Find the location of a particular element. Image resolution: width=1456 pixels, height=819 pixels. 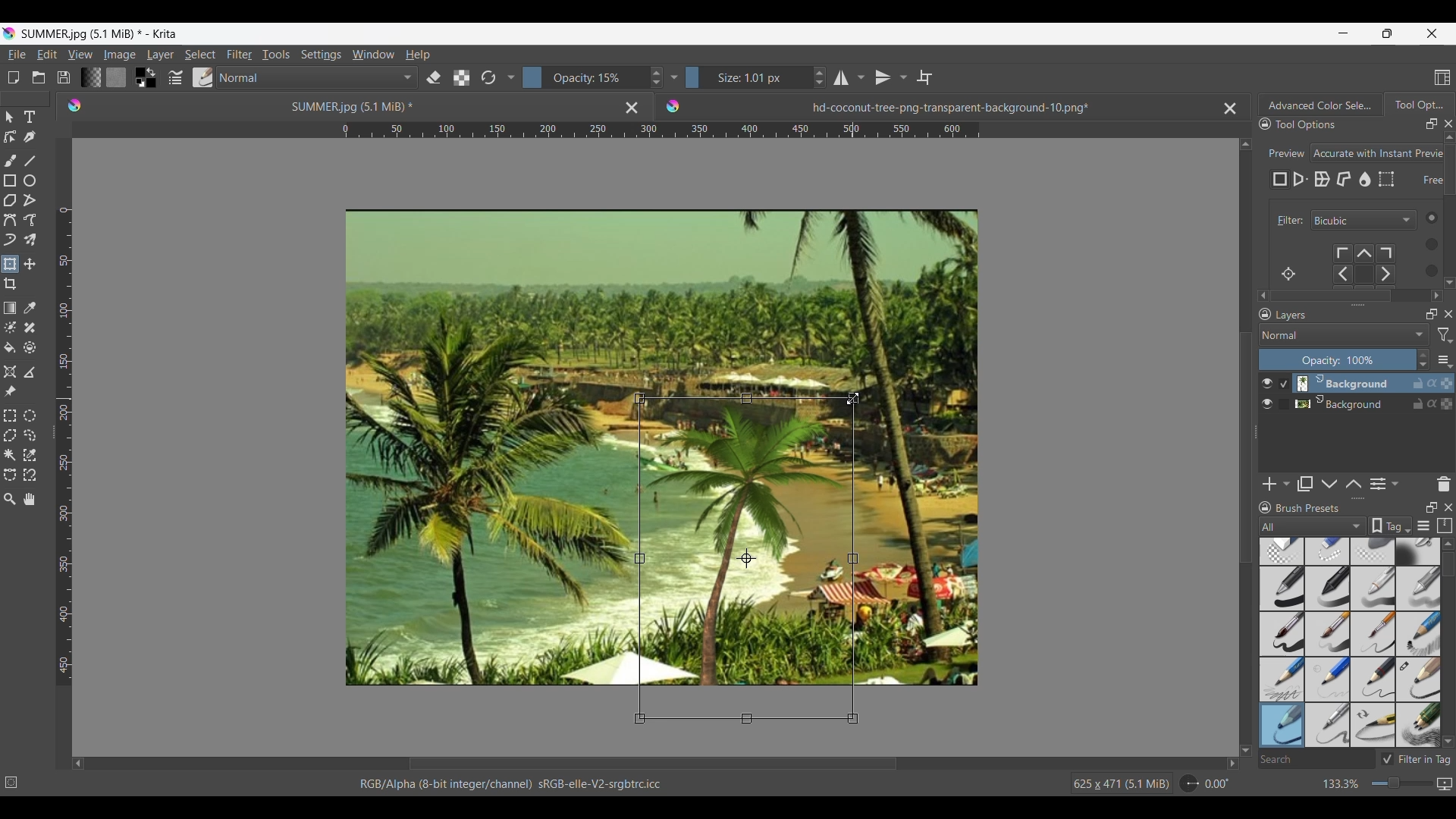

Move position is located at coordinates (30, 264).